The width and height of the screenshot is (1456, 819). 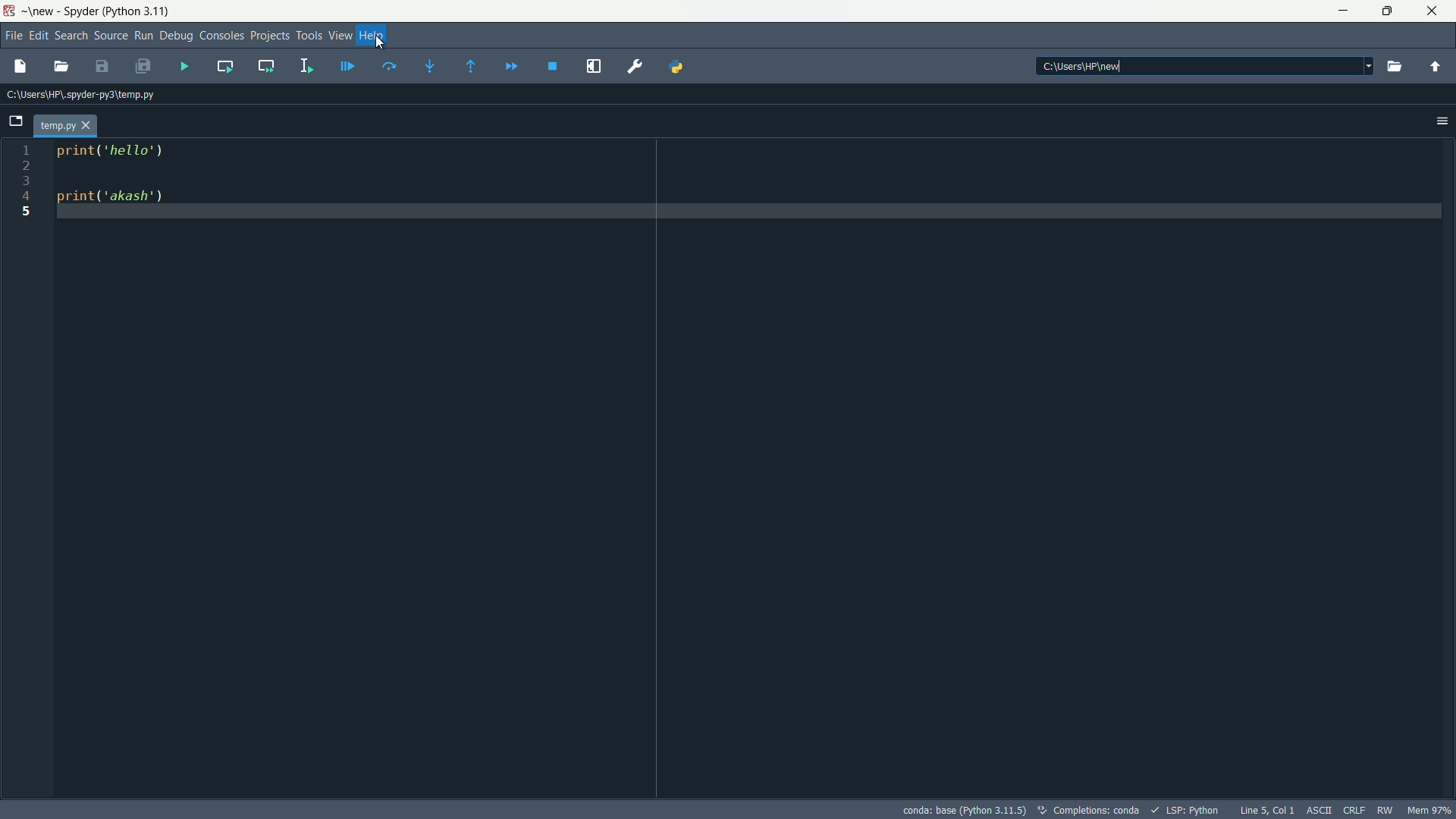 I want to click on rw, so click(x=1386, y=810).